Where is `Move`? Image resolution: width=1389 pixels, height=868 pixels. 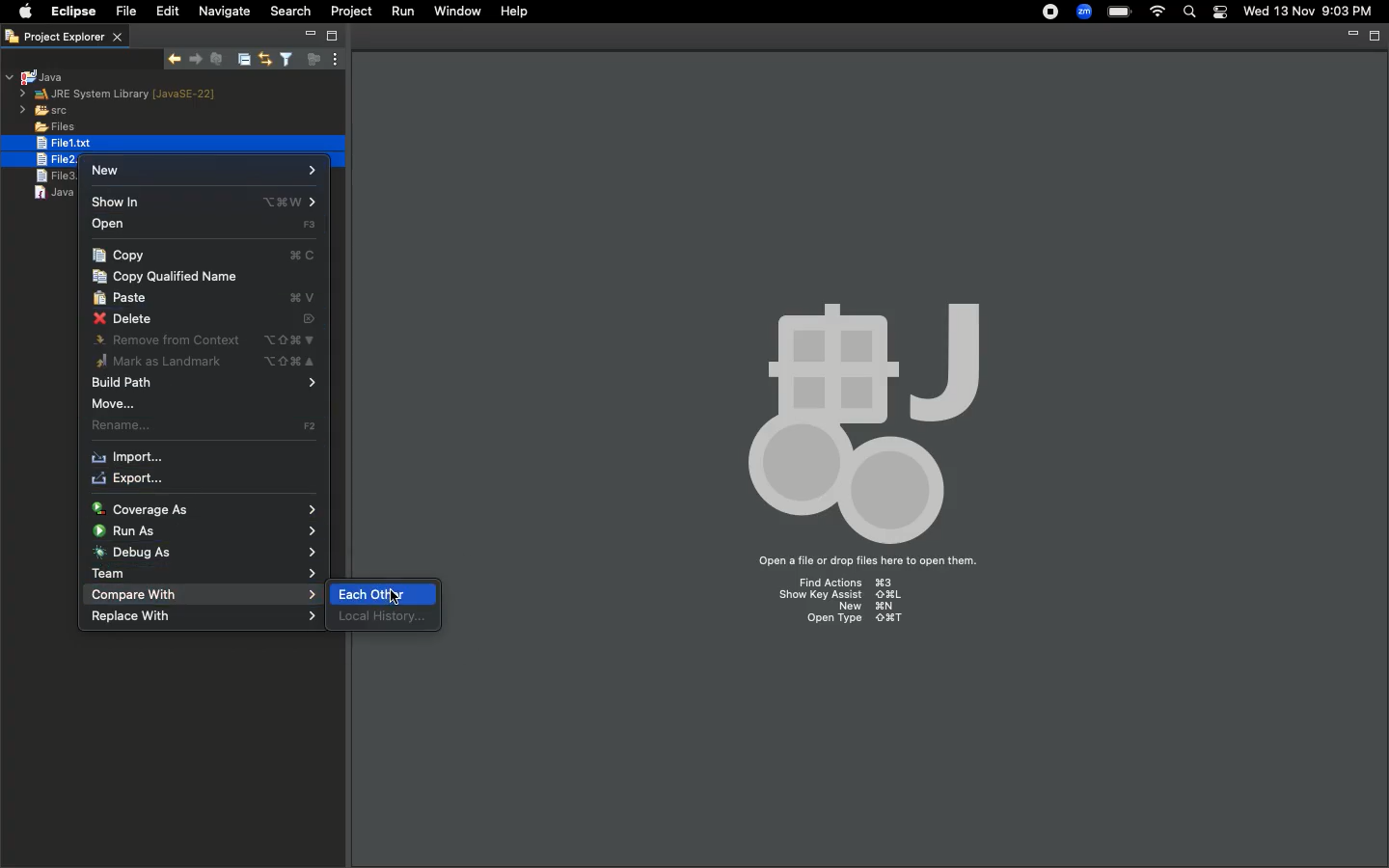
Move is located at coordinates (121, 403).